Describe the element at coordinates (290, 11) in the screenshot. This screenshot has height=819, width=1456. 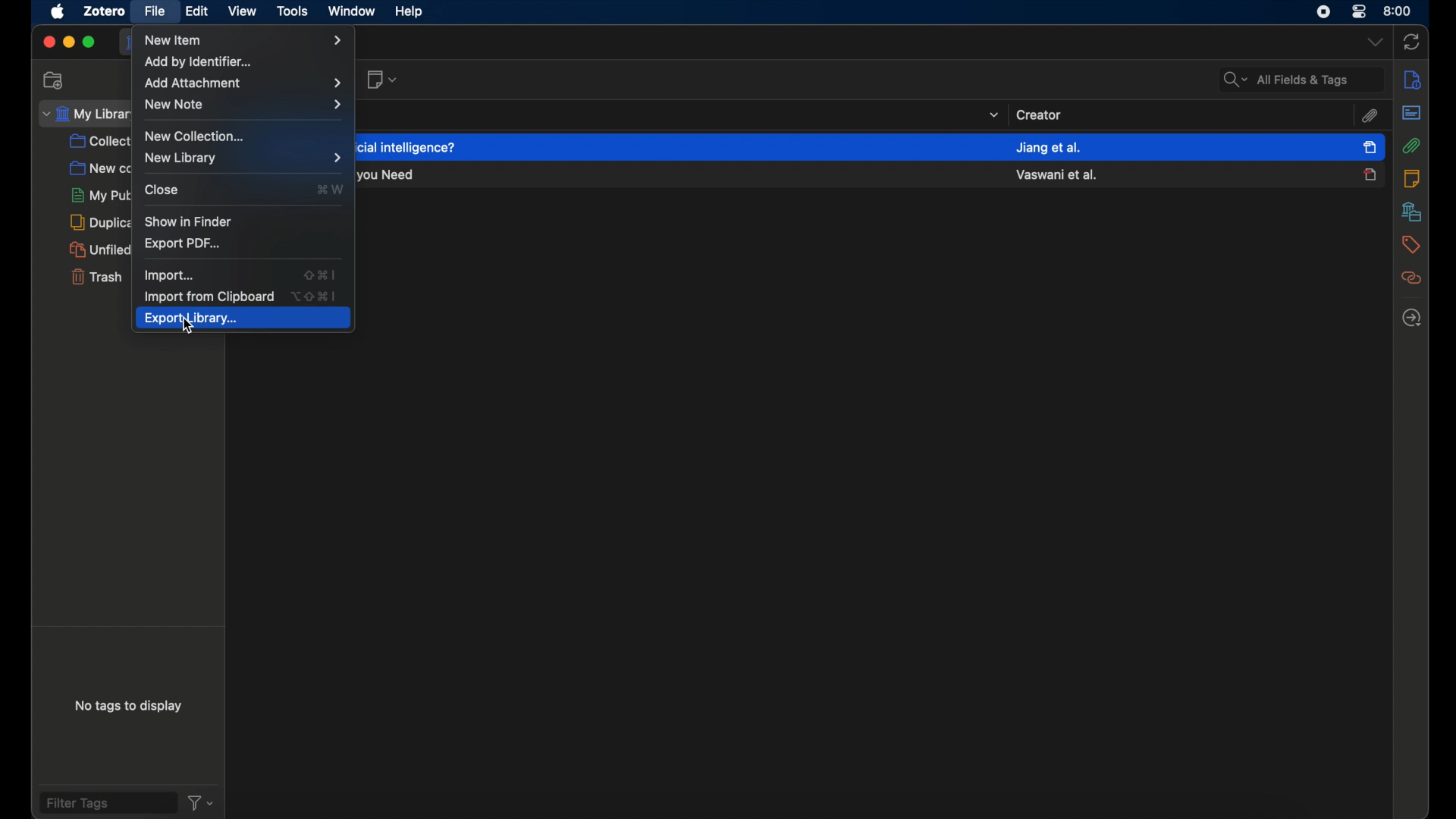
I see `tools` at that location.